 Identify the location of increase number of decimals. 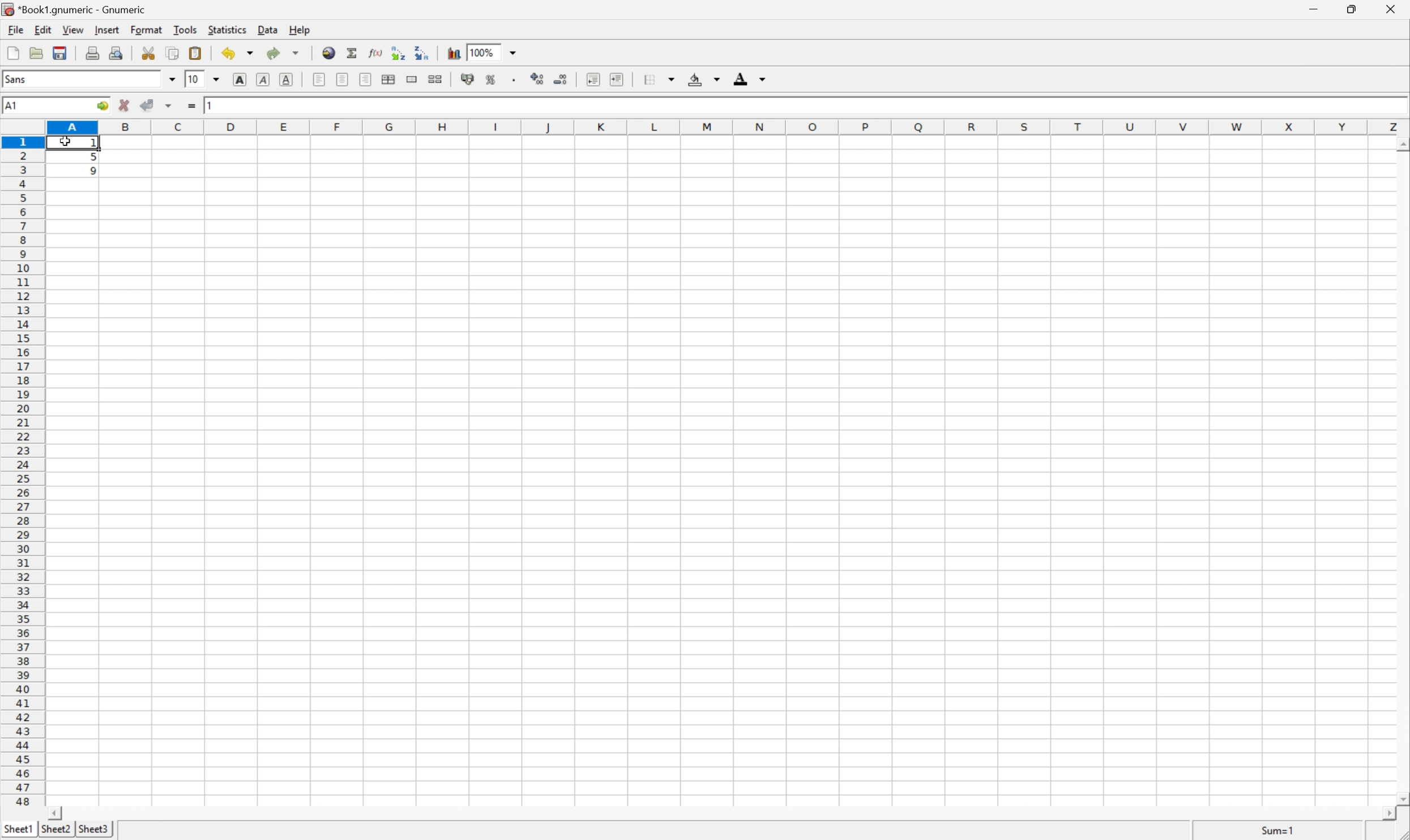
(538, 79).